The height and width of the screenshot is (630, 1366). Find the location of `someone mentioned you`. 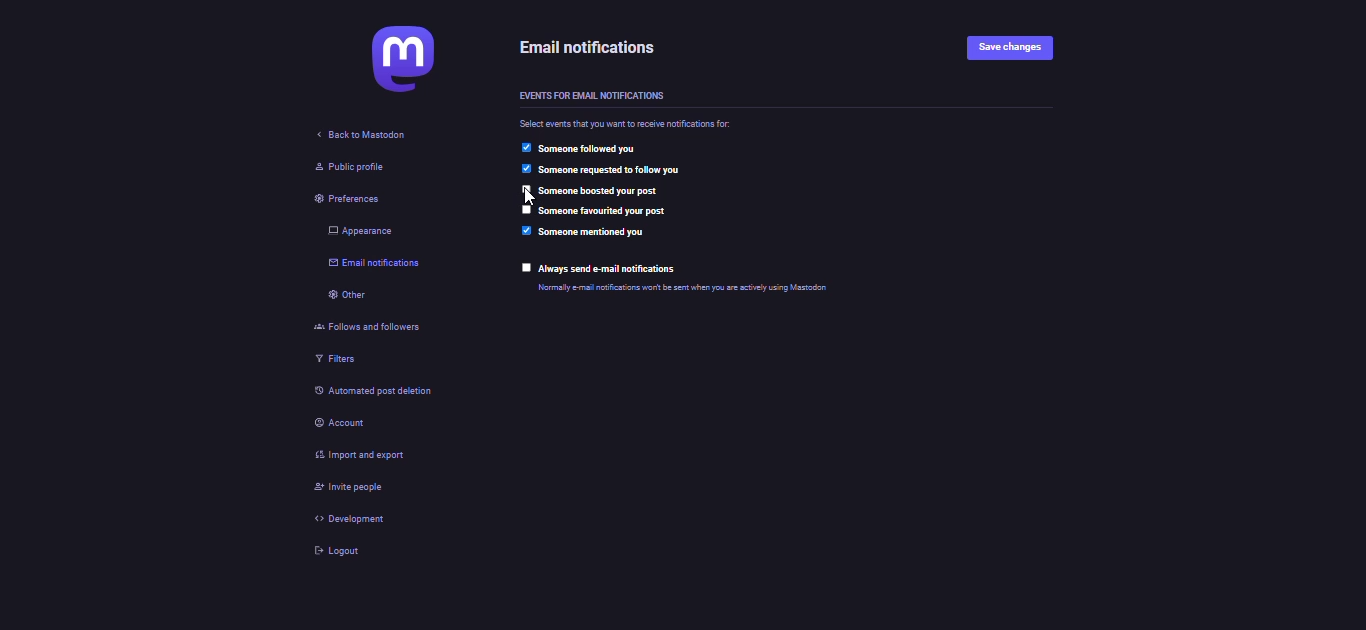

someone mentioned you is located at coordinates (594, 233).